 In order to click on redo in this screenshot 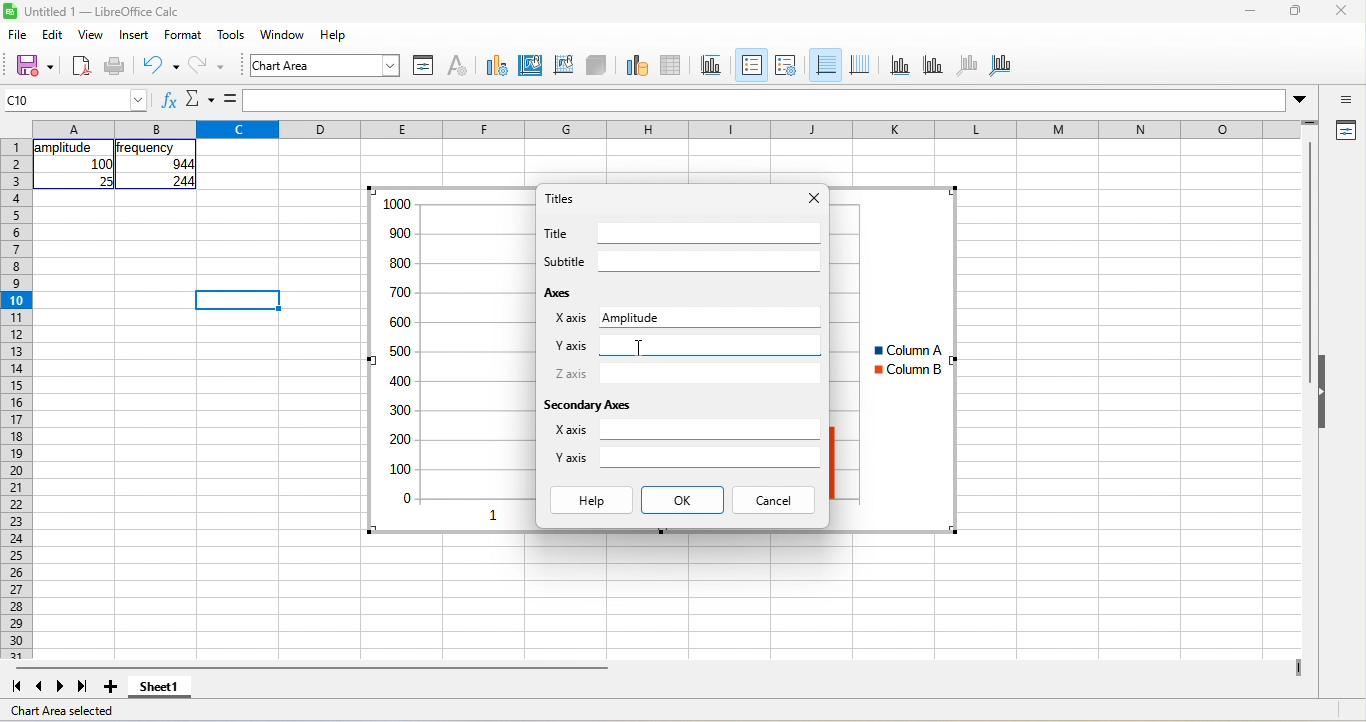, I will do `click(207, 67)`.